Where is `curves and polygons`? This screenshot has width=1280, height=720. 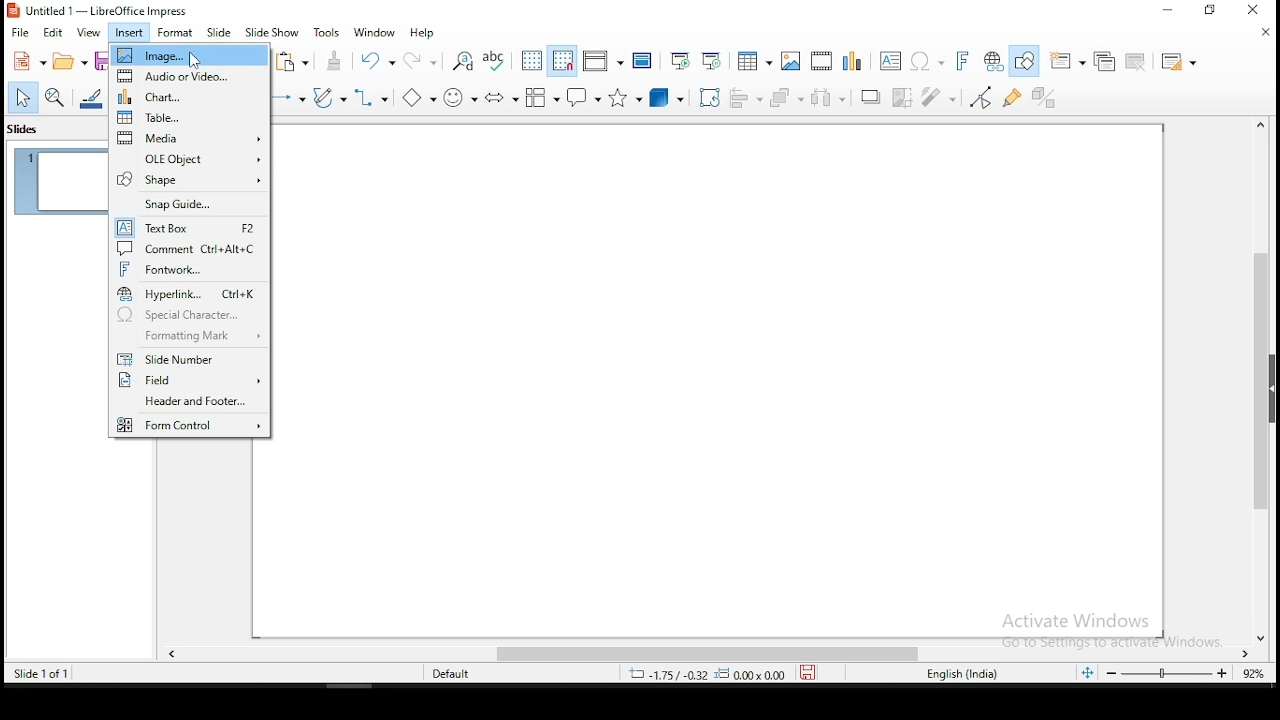
curves and polygons is located at coordinates (327, 98).